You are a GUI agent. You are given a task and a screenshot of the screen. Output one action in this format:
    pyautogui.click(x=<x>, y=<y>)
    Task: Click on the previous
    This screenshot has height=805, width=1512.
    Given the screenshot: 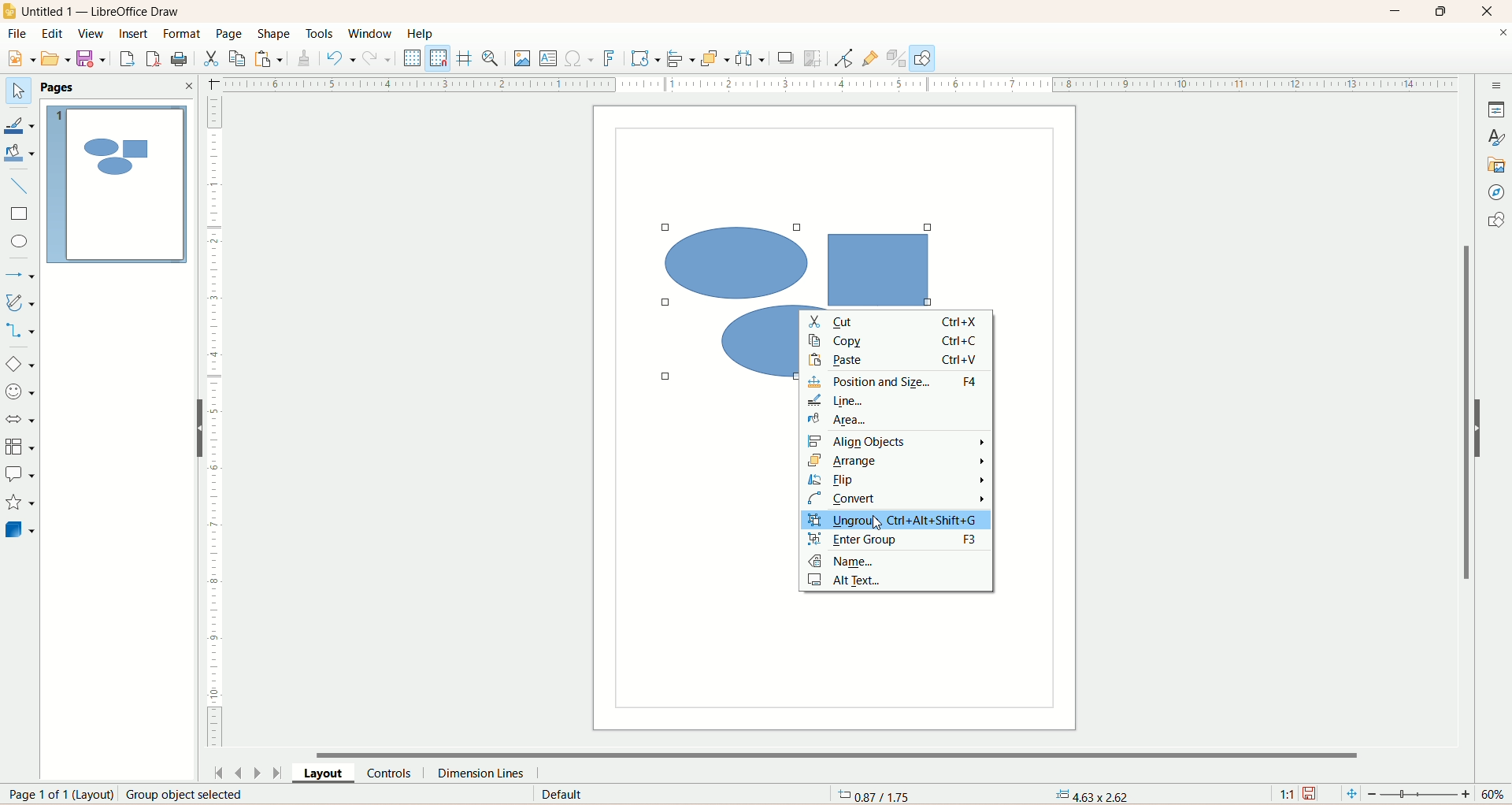 What is the action you would take?
    pyautogui.click(x=240, y=774)
    